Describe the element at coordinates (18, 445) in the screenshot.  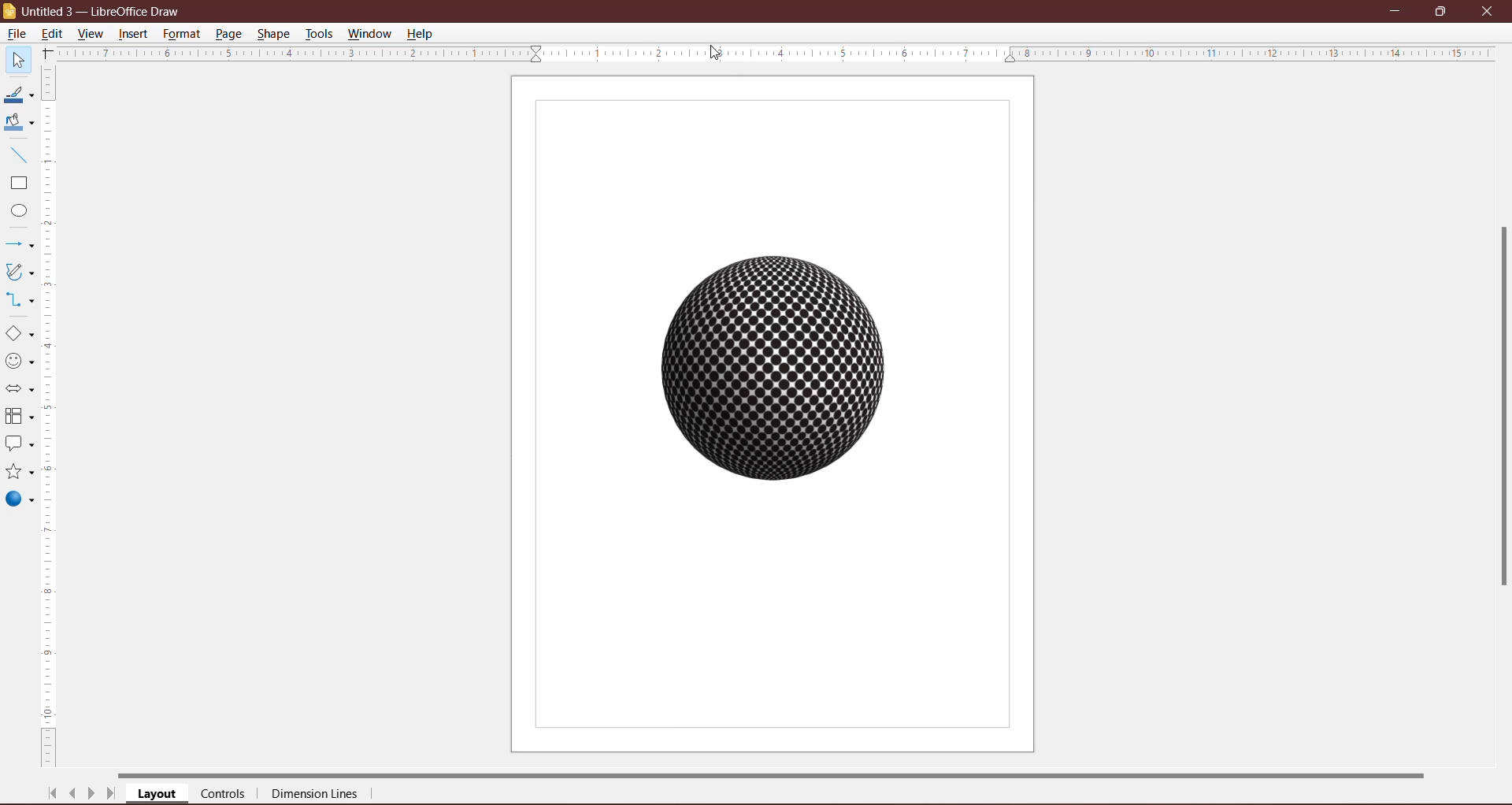
I see `Callout Shapes` at that location.